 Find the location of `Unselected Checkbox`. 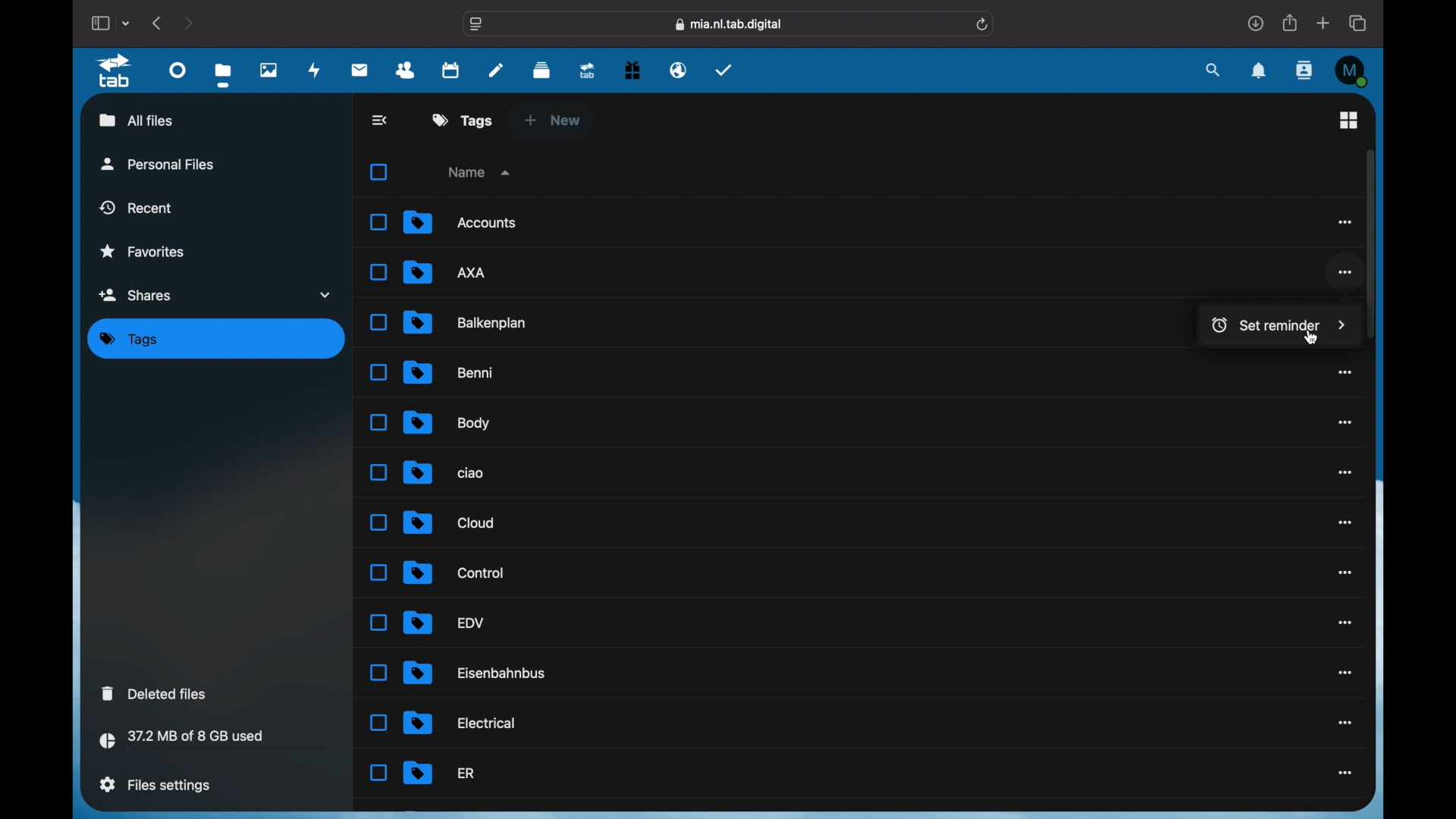

Unselected Checkbox is located at coordinates (379, 221).